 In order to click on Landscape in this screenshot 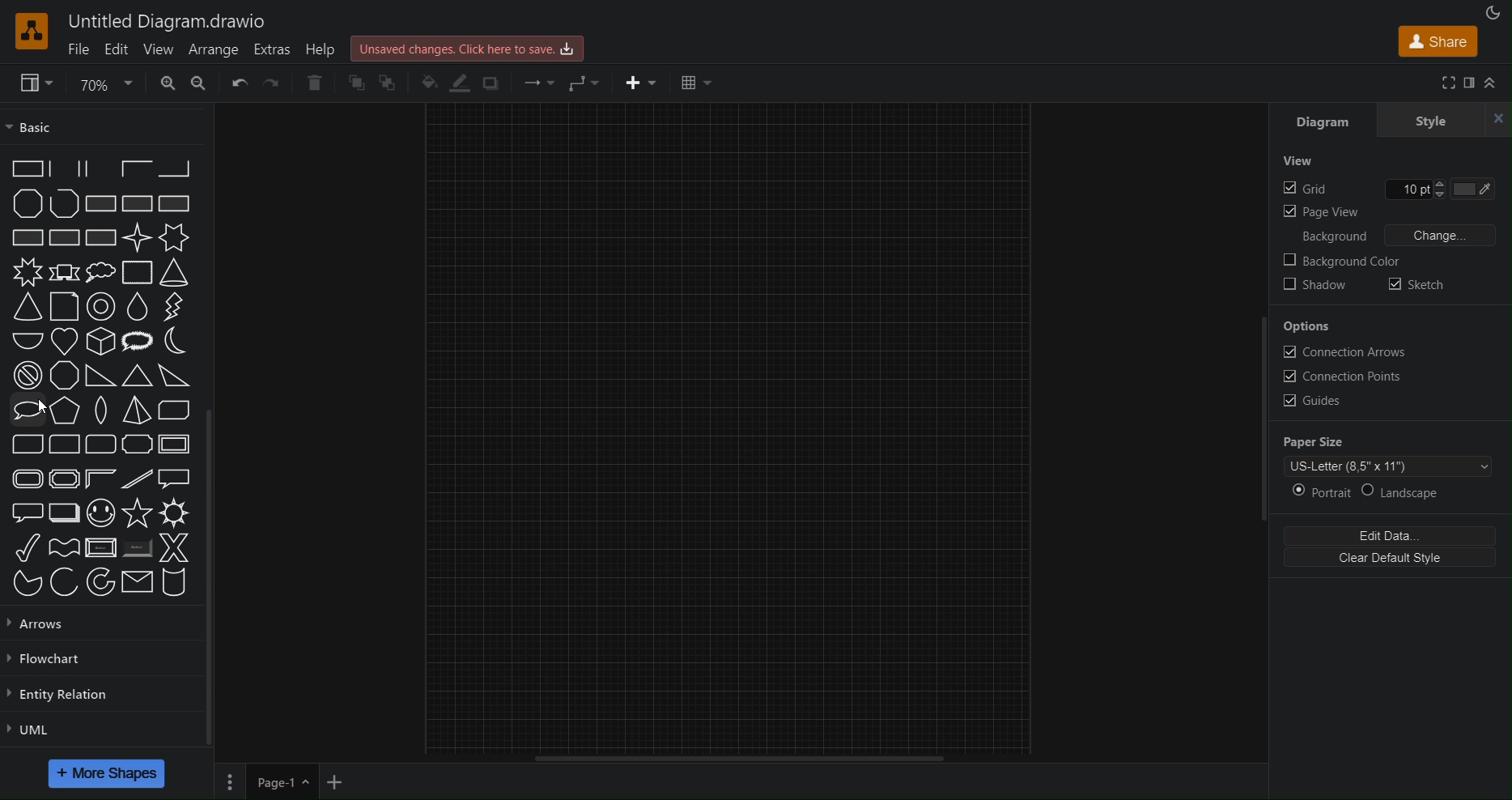, I will do `click(1404, 492)`.